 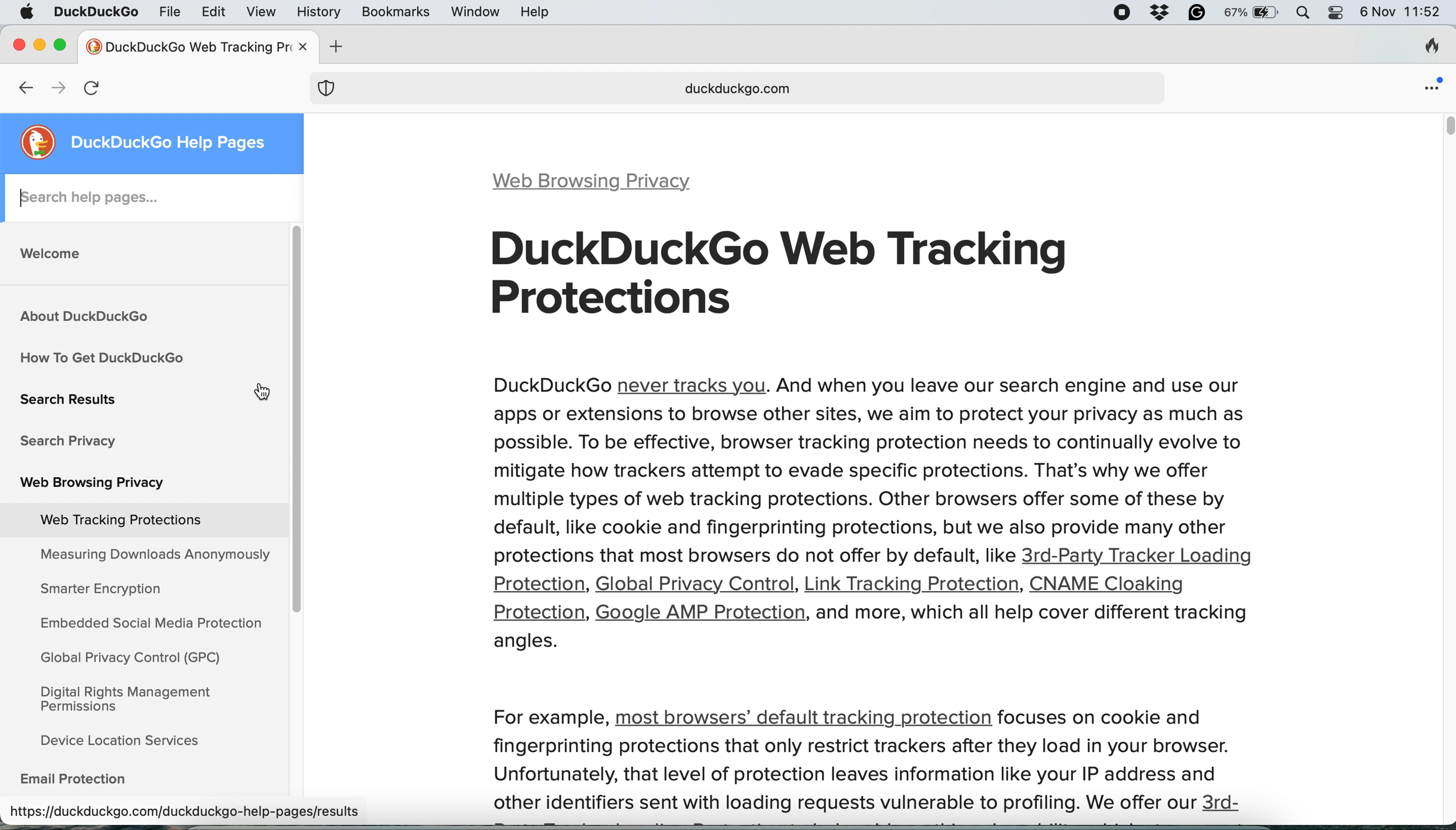 I want to click on clear browsing history, so click(x=1425, y=46).